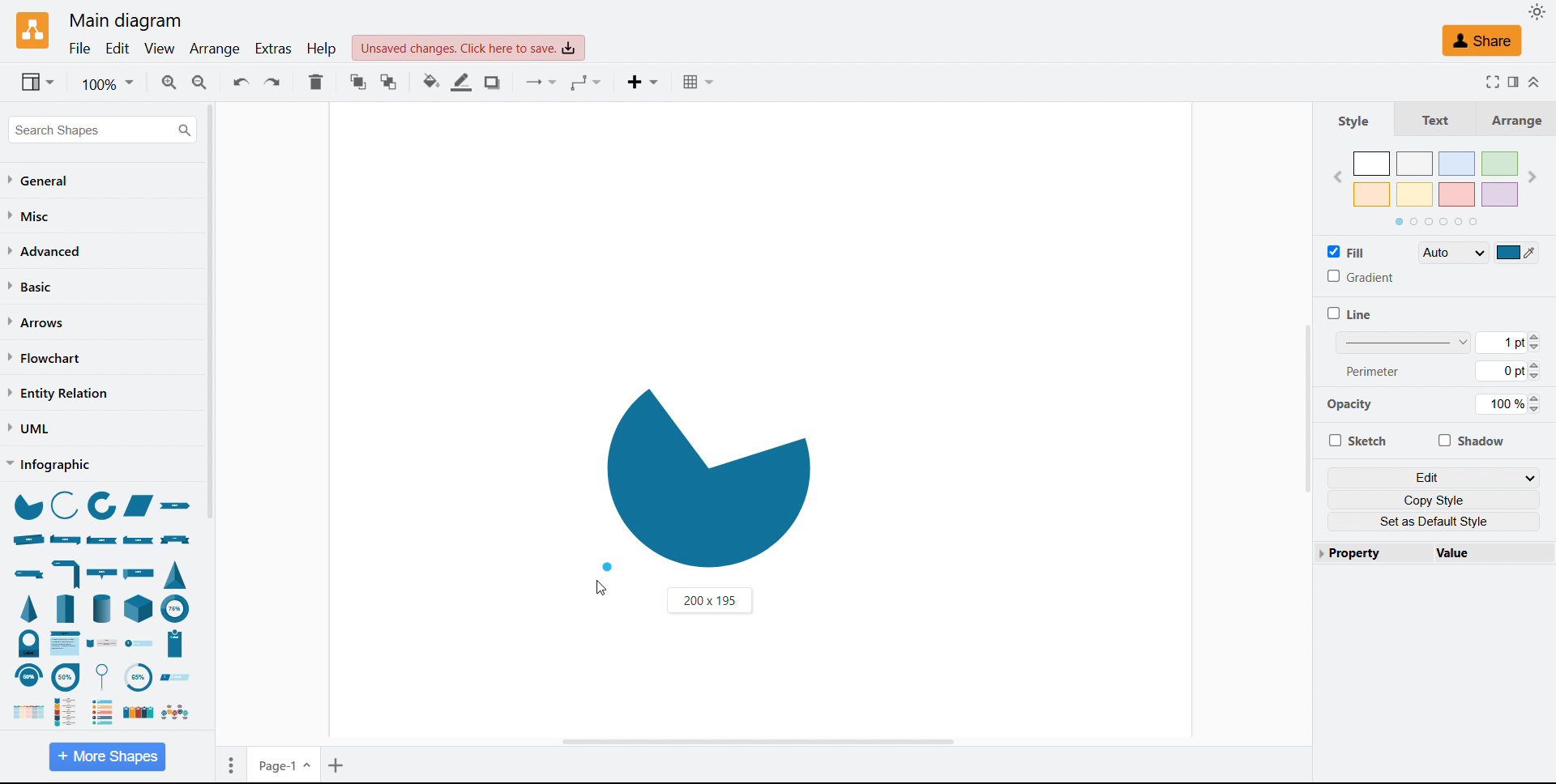  I want to click on ribbon double folded, so click(64, 539).